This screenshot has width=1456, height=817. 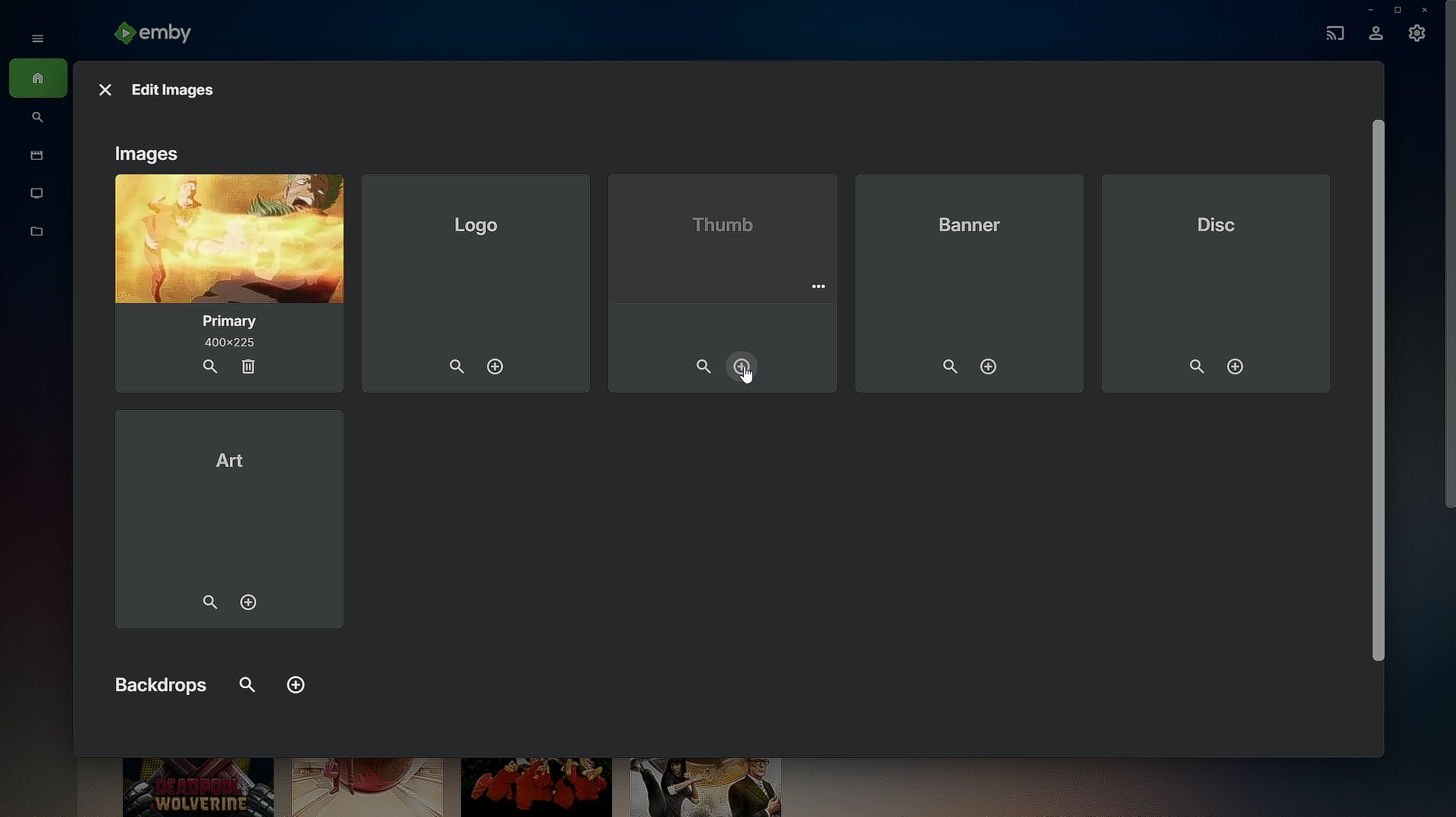 What do you see at coordinates (1427, 10) in the screenshot?
I see `Close` at bounding box center [1427, 10].